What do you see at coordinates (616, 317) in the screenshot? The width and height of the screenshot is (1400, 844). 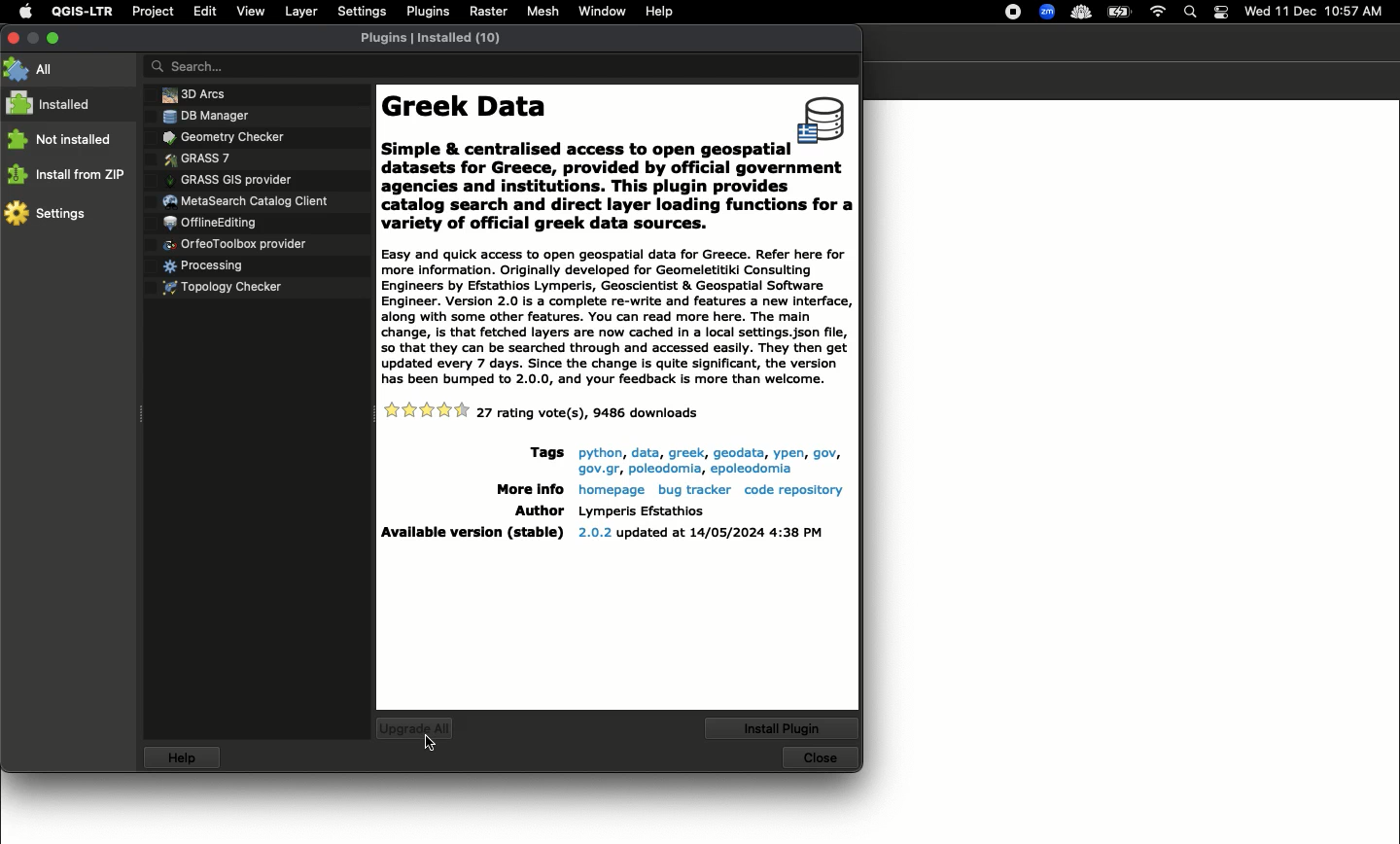 I see `Greek data` at bounding box center [616, 317].